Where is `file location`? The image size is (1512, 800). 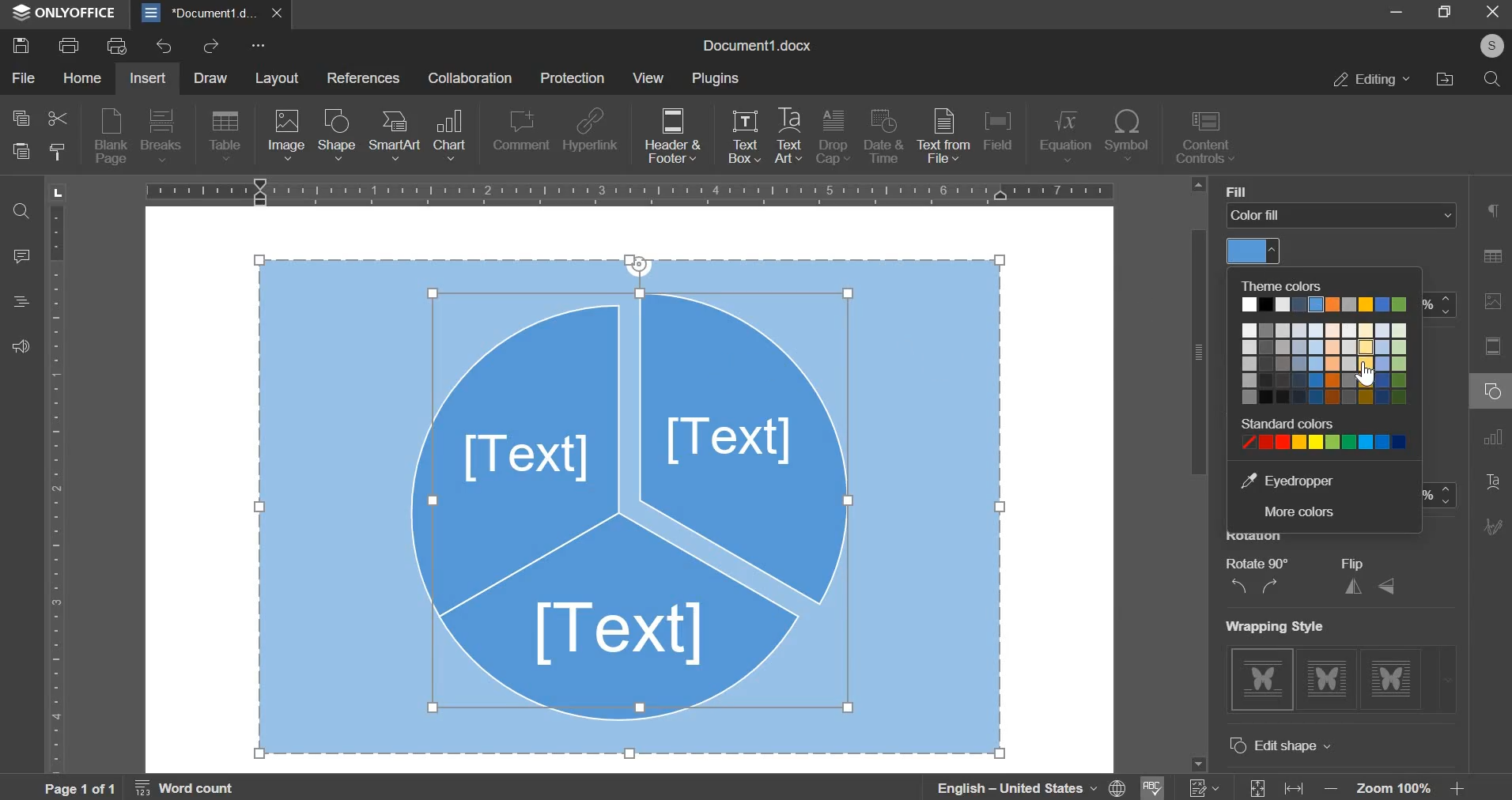 file location is located at coordinates (1445, 78).